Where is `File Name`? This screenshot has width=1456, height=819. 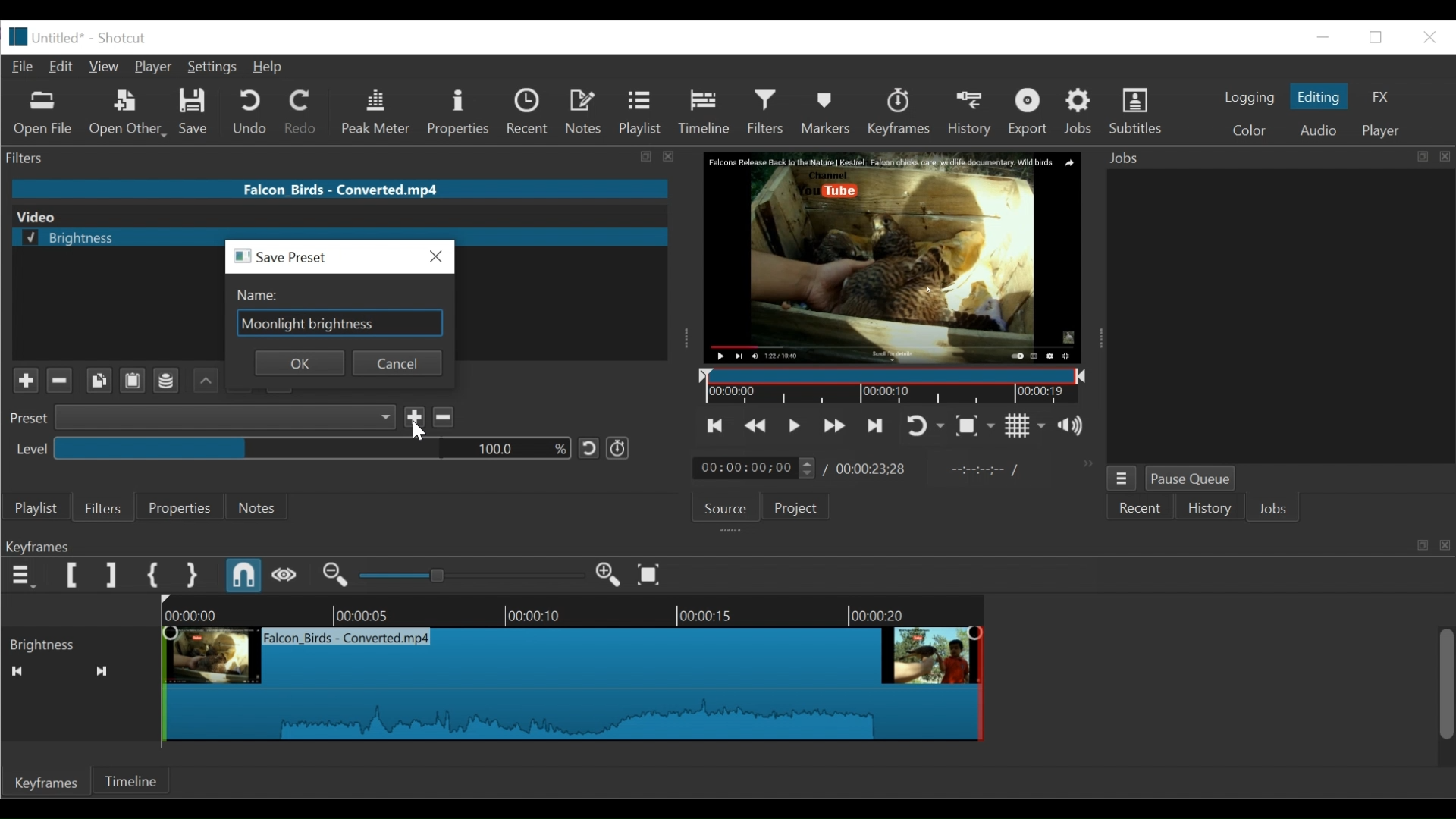
File Name is located at coordinates (44, 37).